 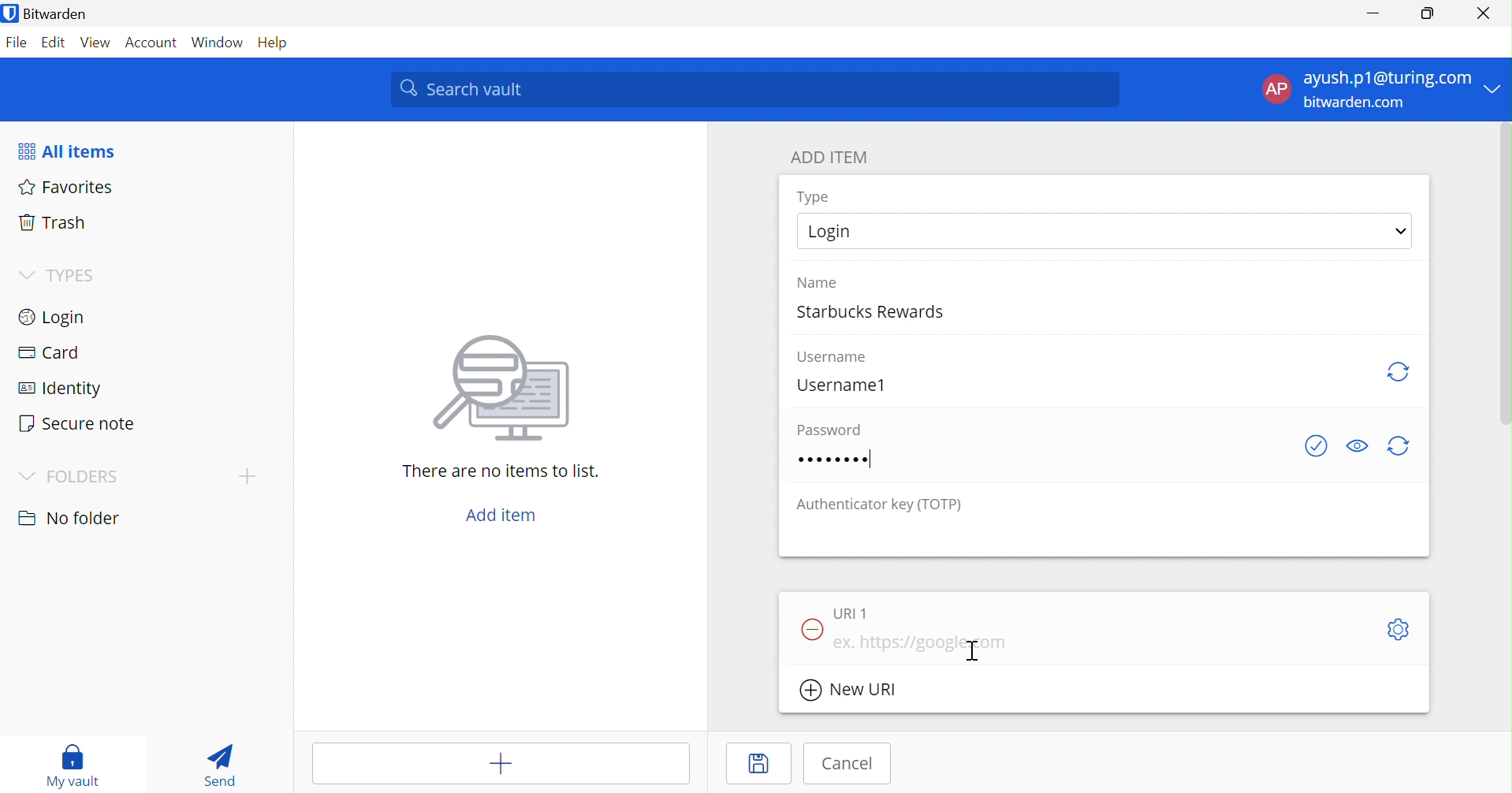 I want to click on Close, so click(x=1486, y=13).